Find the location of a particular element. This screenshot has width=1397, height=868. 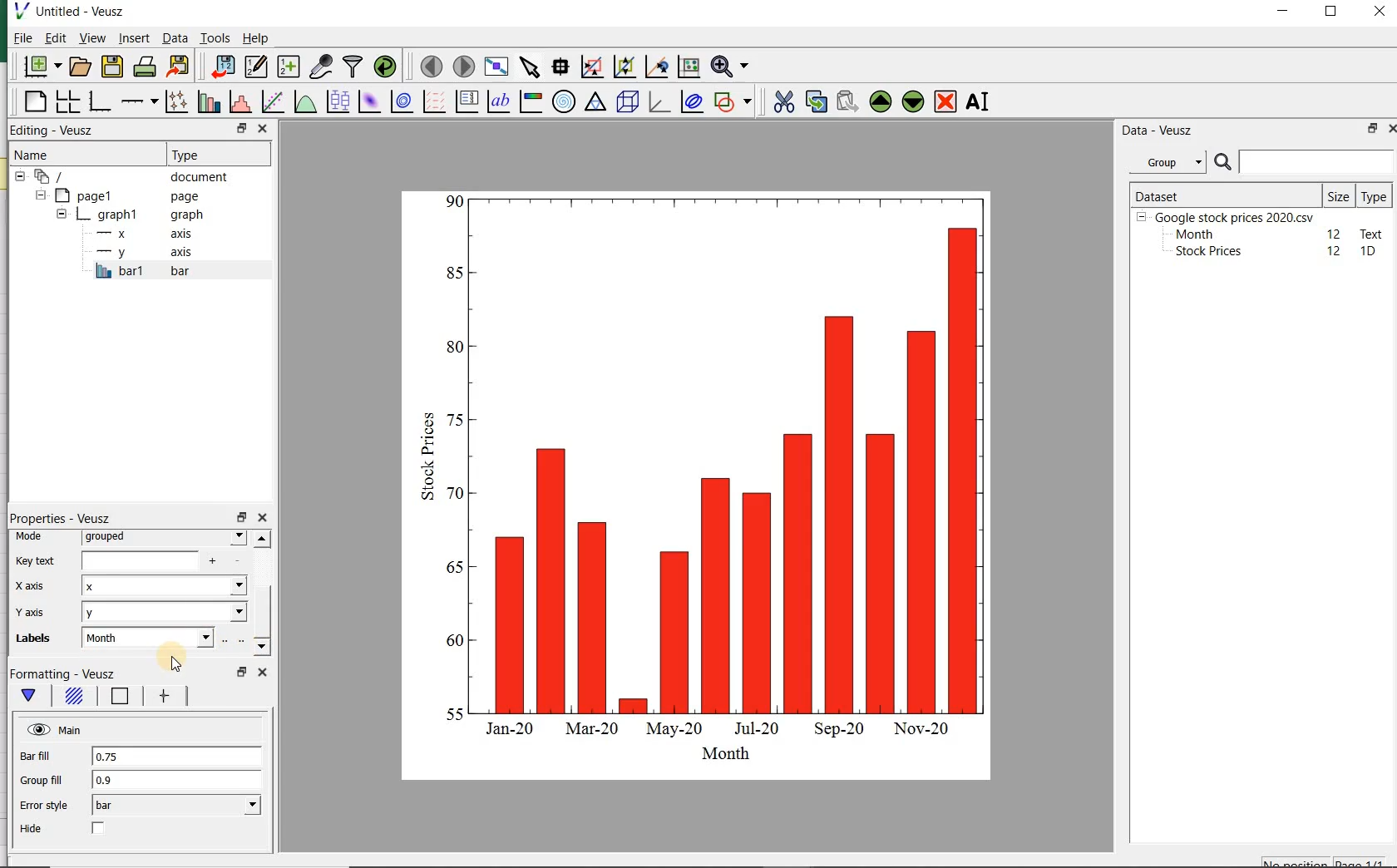

open a document is located at coordinates (81, 66).